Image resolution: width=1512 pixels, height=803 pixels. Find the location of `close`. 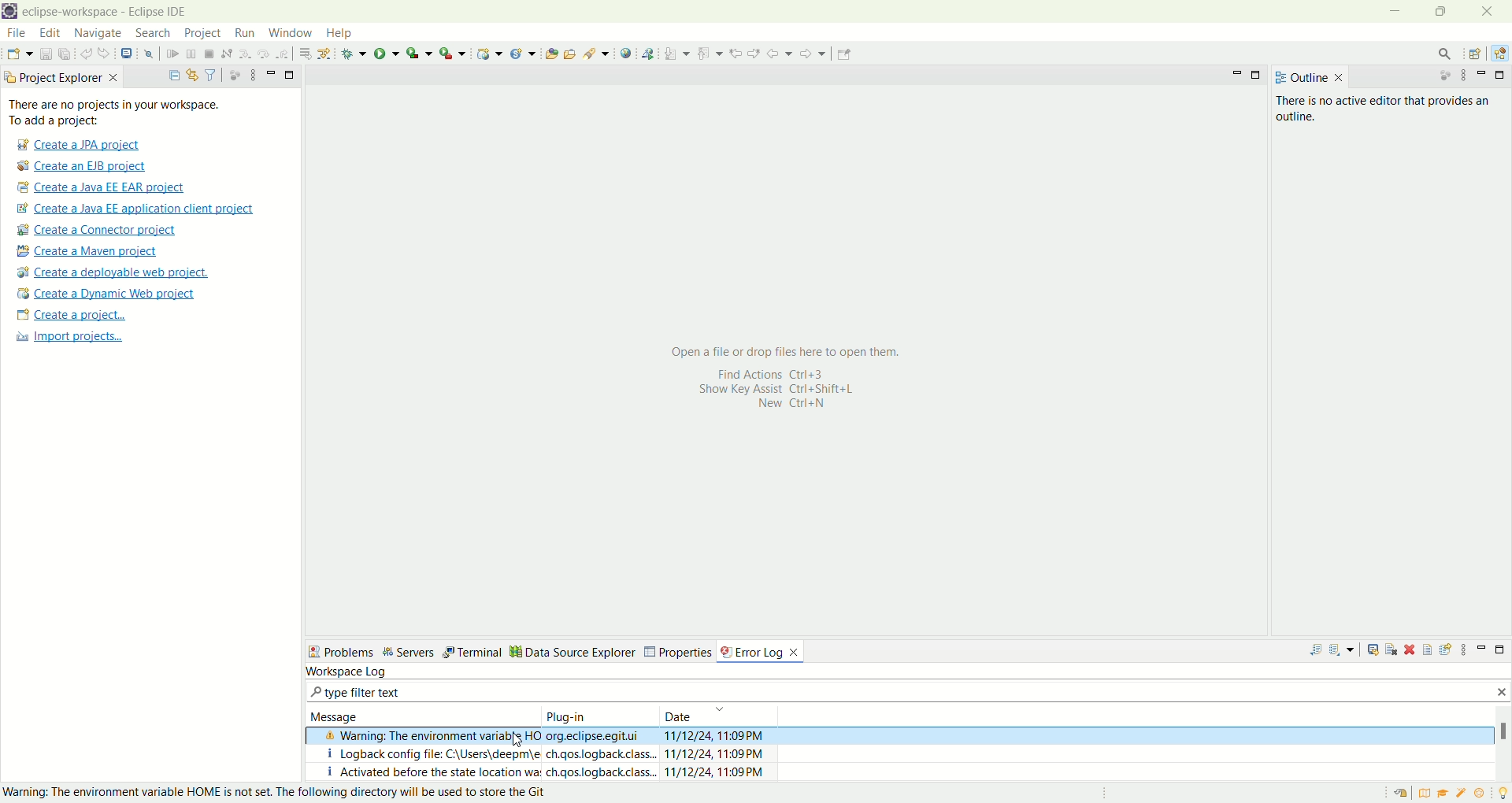

close is located at coordinates (1499, 694).